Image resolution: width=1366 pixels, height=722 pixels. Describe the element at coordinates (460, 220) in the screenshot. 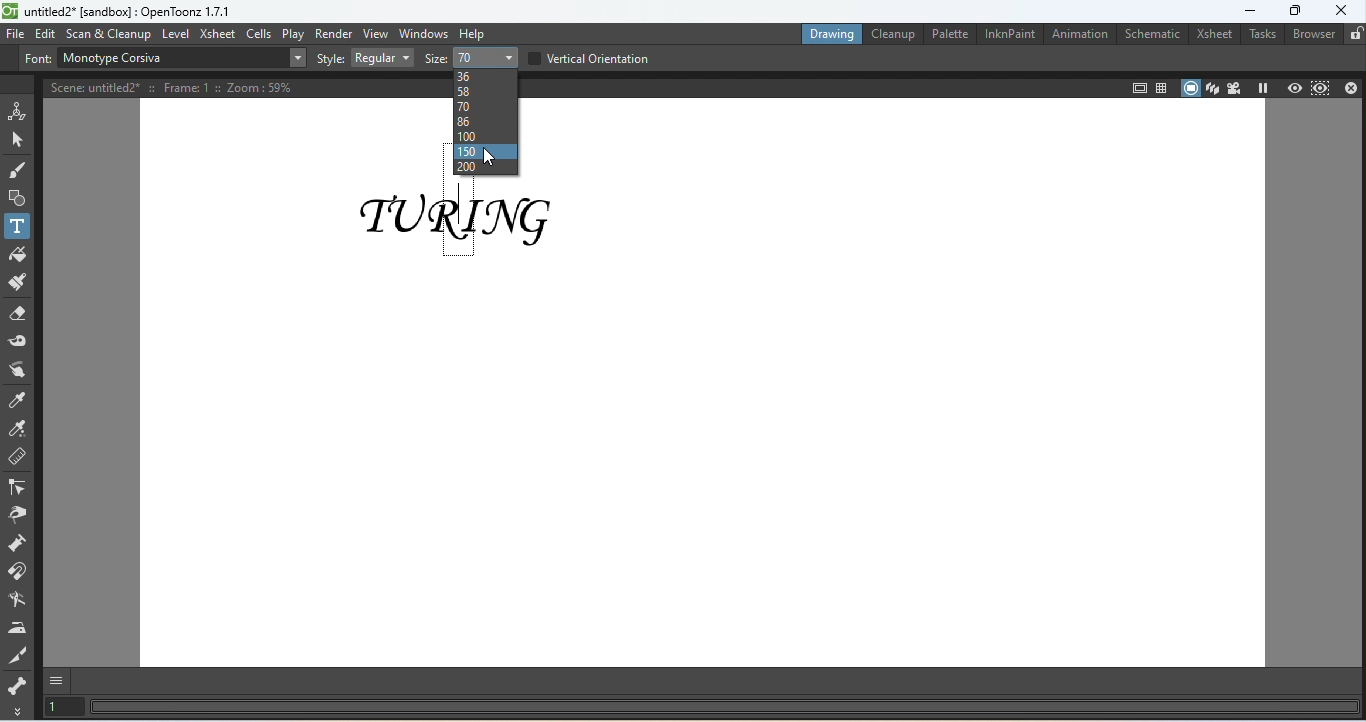

I see `selected line on canvas` at that location.